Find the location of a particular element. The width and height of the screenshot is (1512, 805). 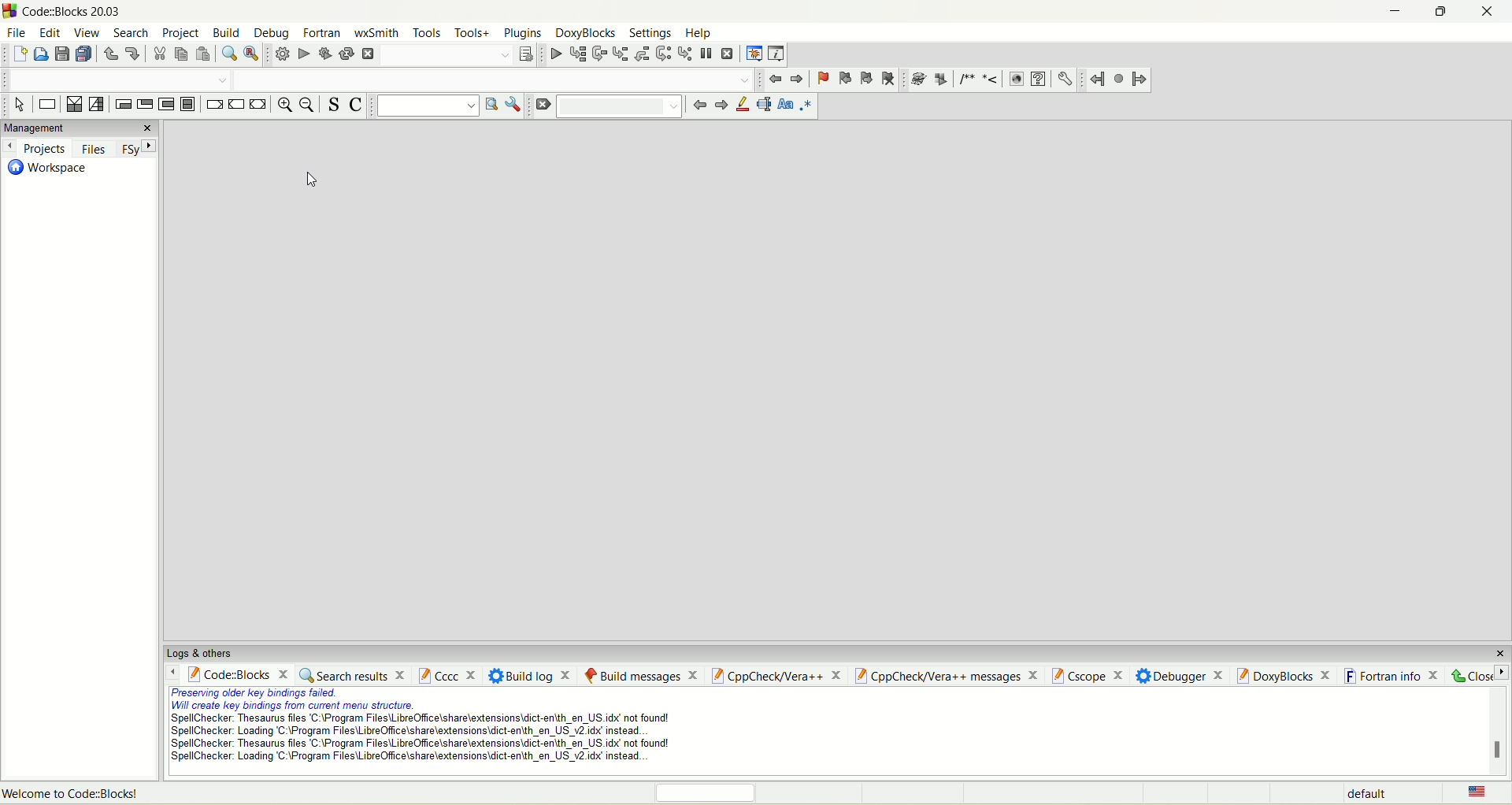

build messages is located at coordinates (639, 674).